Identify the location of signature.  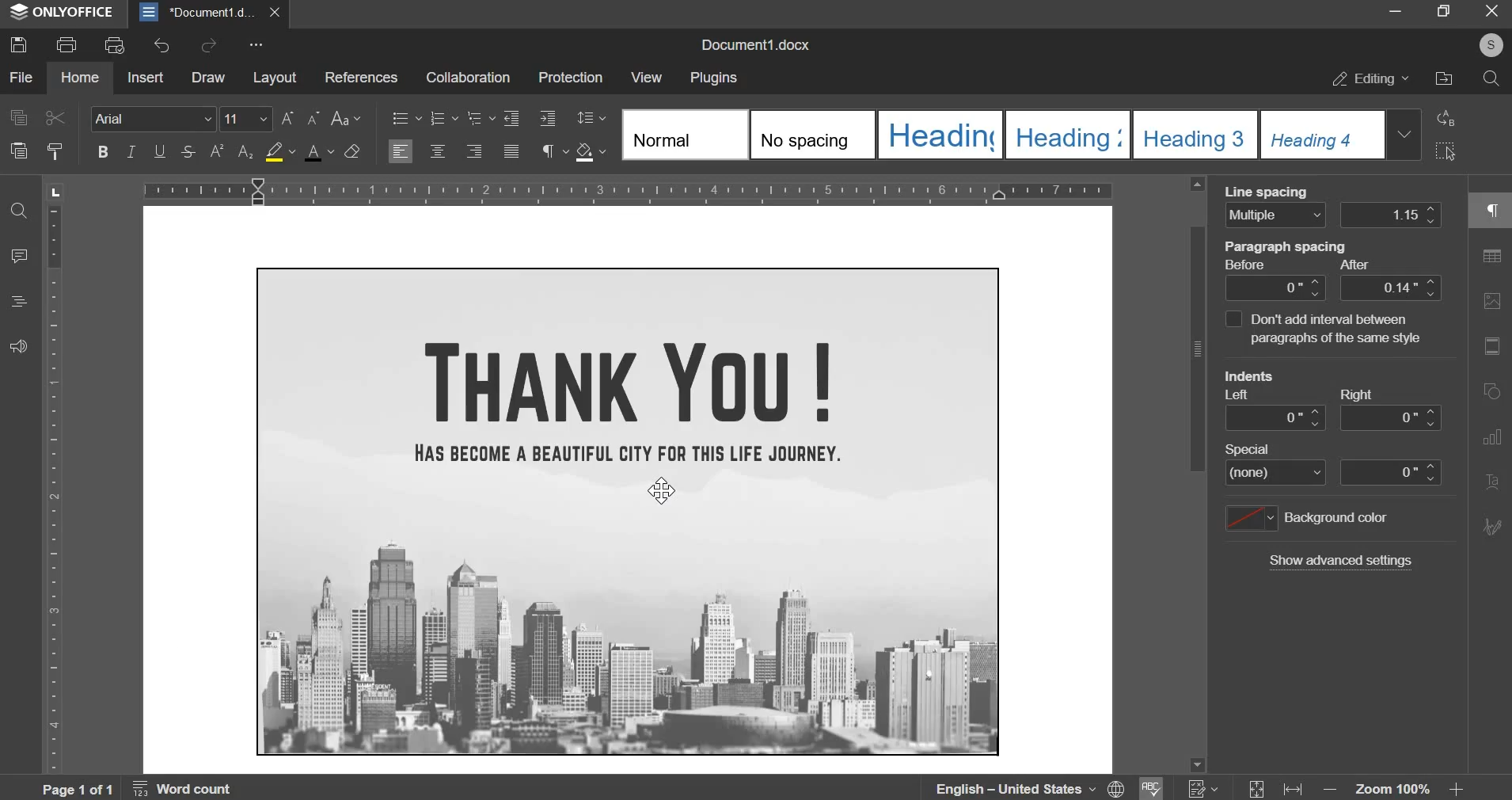
(1493, 524).